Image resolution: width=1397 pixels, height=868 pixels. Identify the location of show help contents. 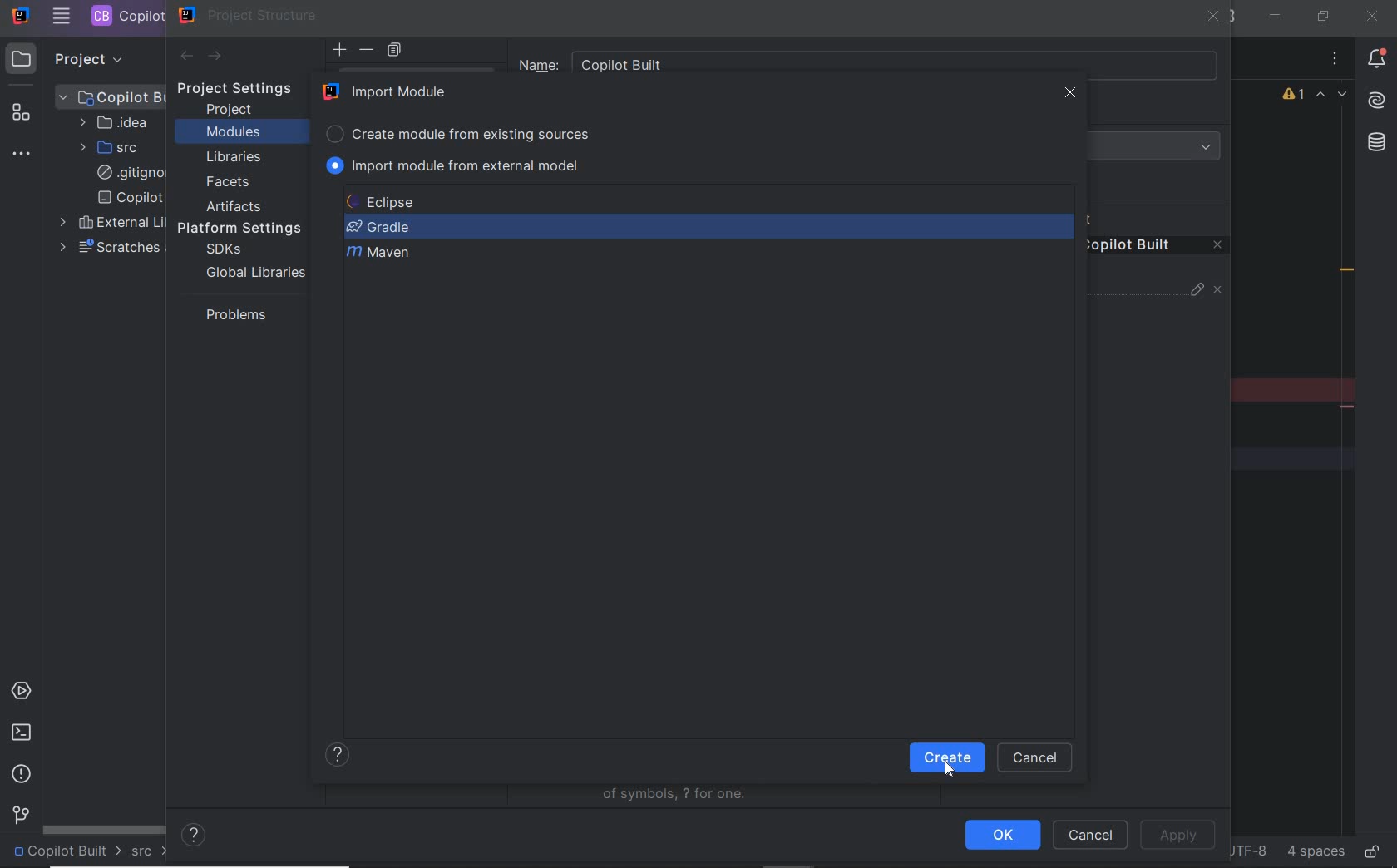
(339, 757).